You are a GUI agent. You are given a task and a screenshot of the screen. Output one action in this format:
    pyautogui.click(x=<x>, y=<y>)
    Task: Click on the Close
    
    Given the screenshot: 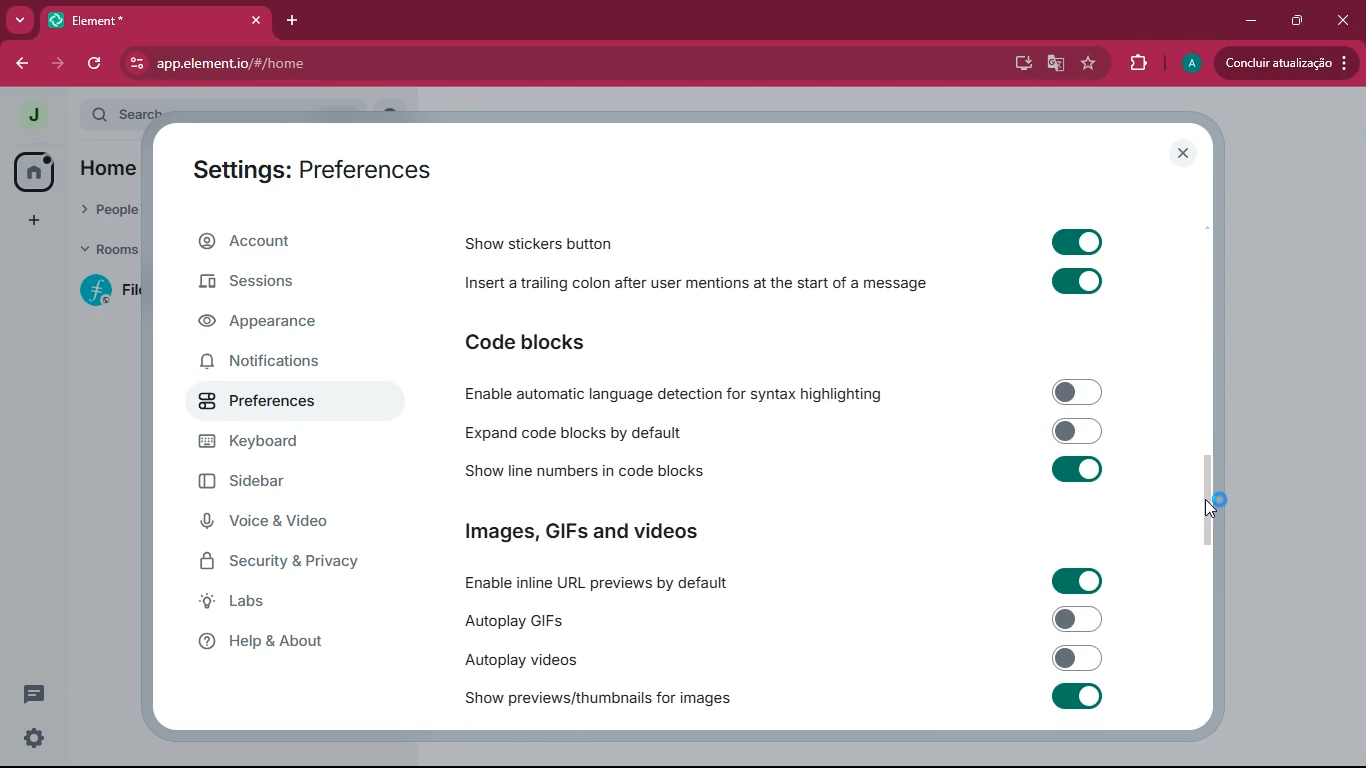 What is the action you would take?
    pyautogui.click(x=1344, y=20)
    